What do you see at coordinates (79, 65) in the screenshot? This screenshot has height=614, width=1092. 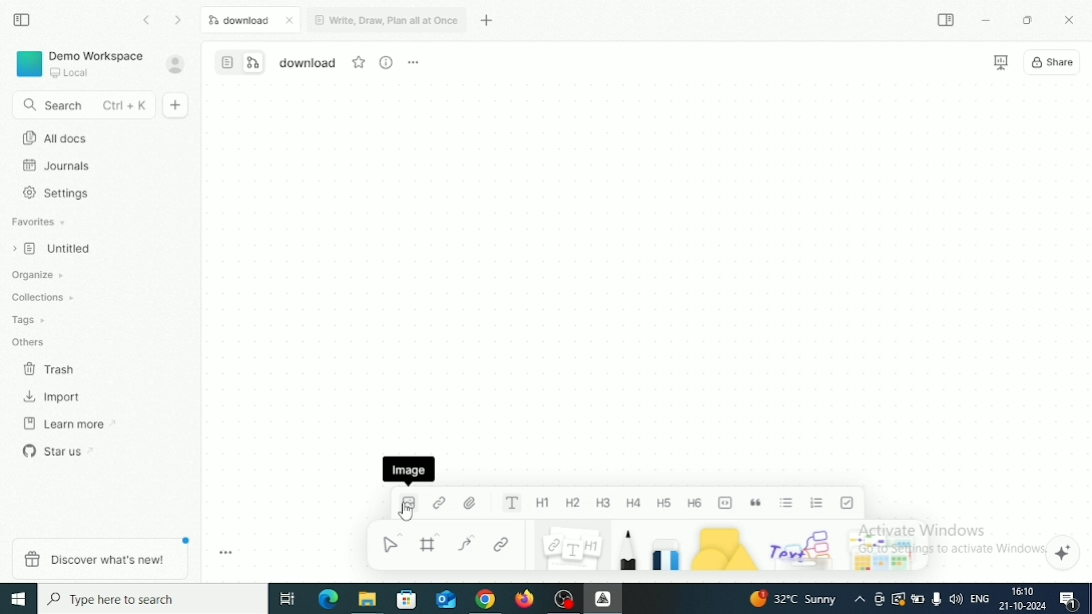 I see `Demo Workspace` at bounding box center [79, 65].